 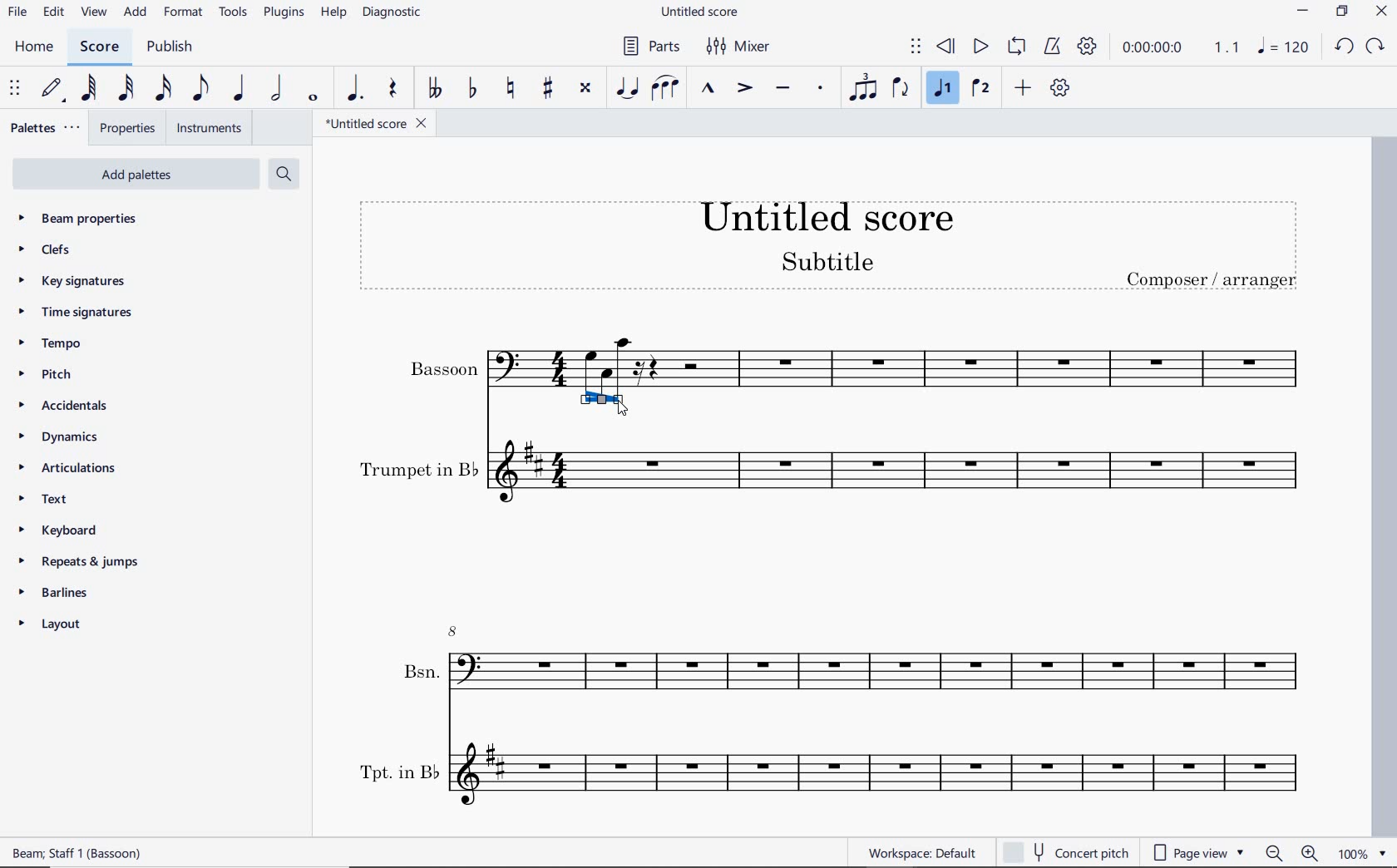 I want to click on flip direction, so click(x=901, y=89).